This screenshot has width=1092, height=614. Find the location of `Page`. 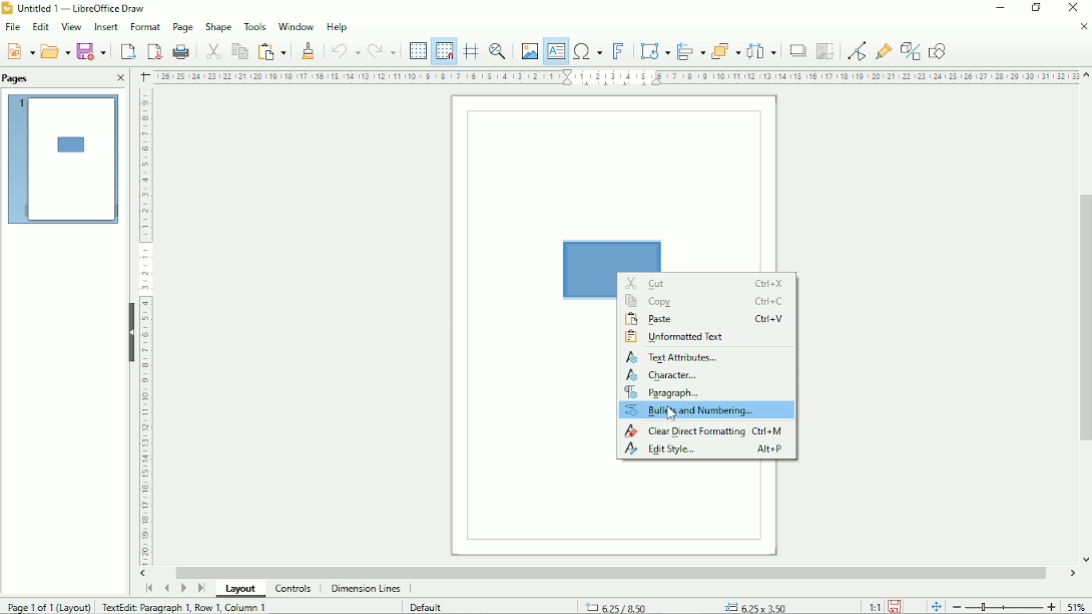

Page is located at coordinates (183, 27).